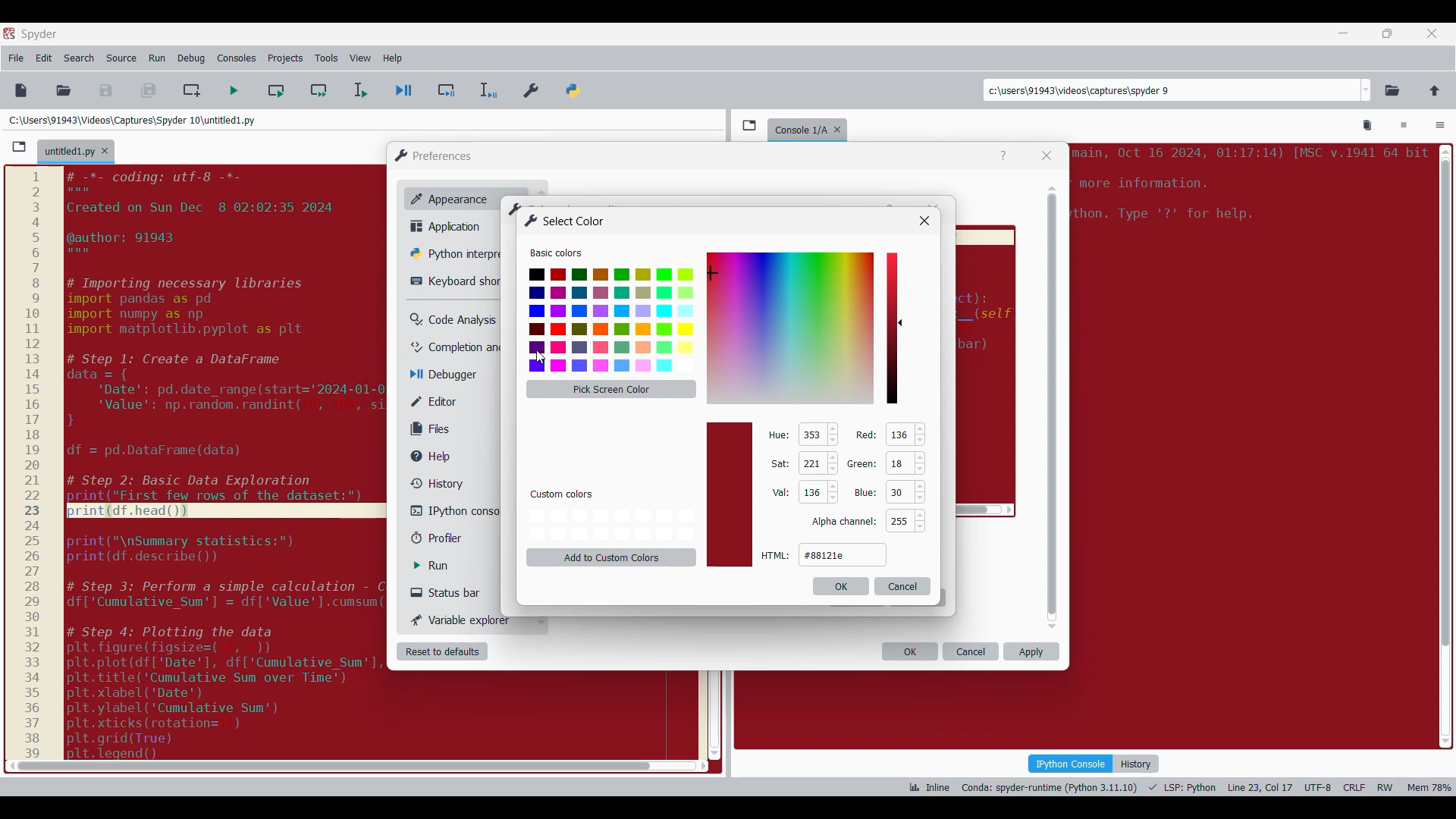 Image resolution: width=1456 pixels, height=819 pixels. What do you see at coordinates (454, 510) in the screenshot?
I see `IPython console` at bounding box center [454, 510].